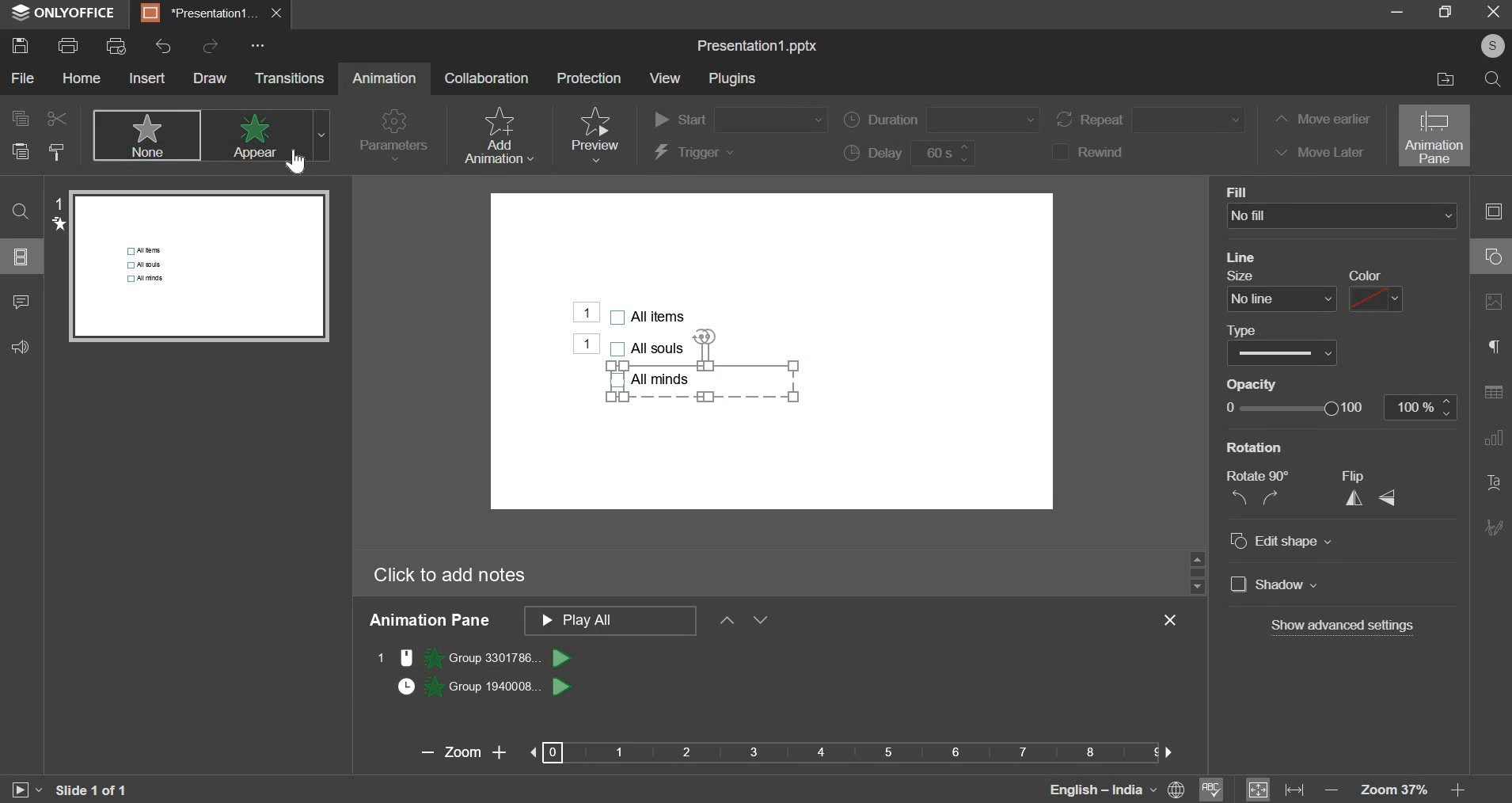 The height and width of the screenshot is (803, 1512). What do you see at coordinates (913, 154) in the screenshot?
I see `delay` at bounding box center [913, 154].